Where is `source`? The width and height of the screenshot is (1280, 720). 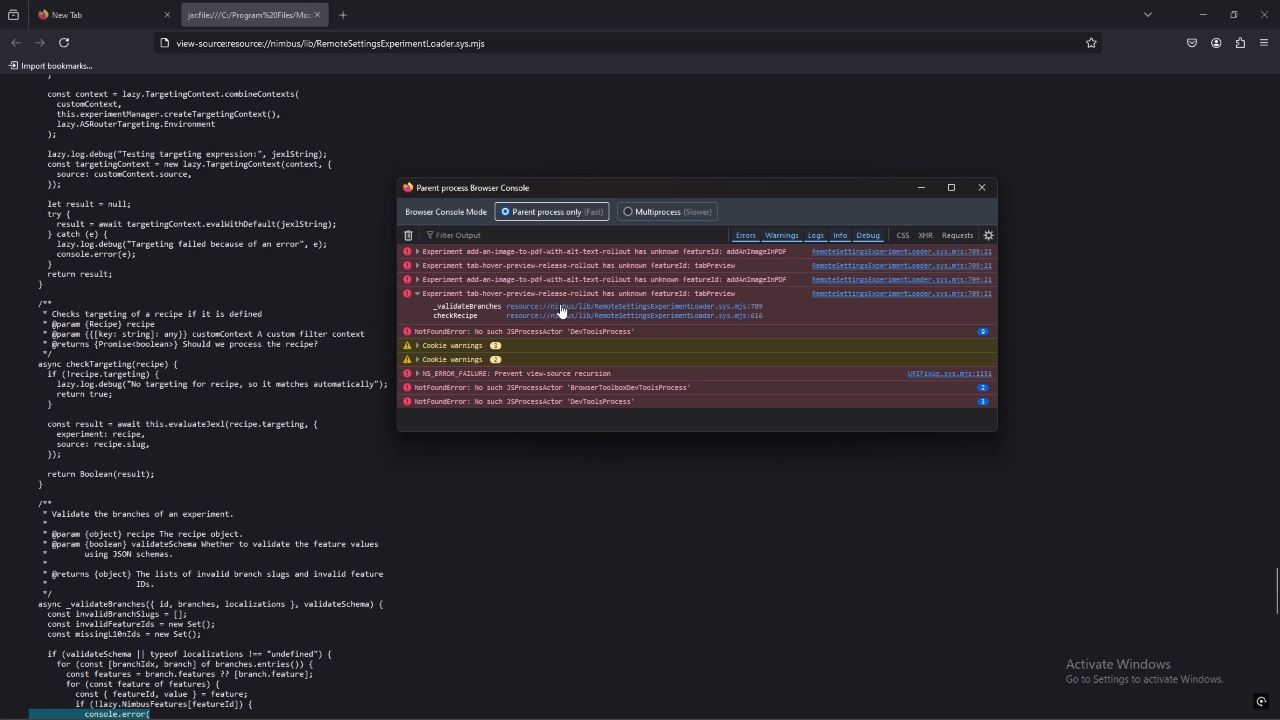 source is located at coordinates (597, 318).